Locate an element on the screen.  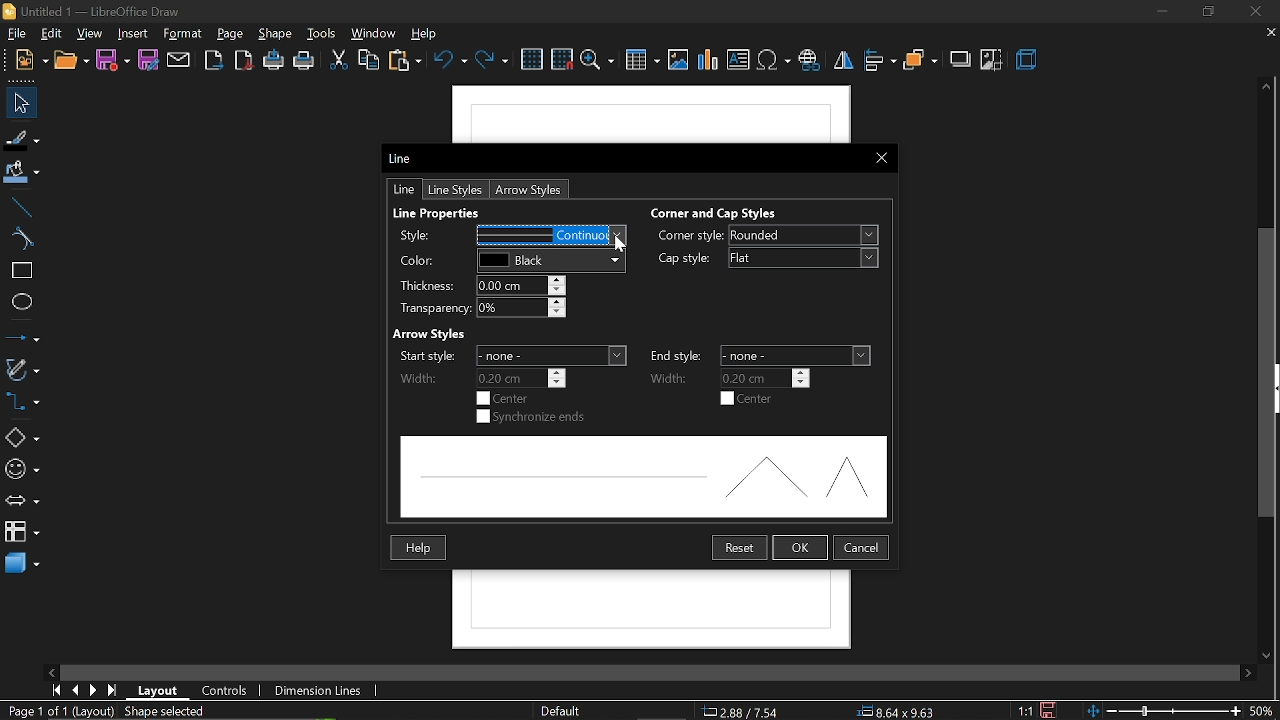
zoom change is located at coordinates (1183, 711).